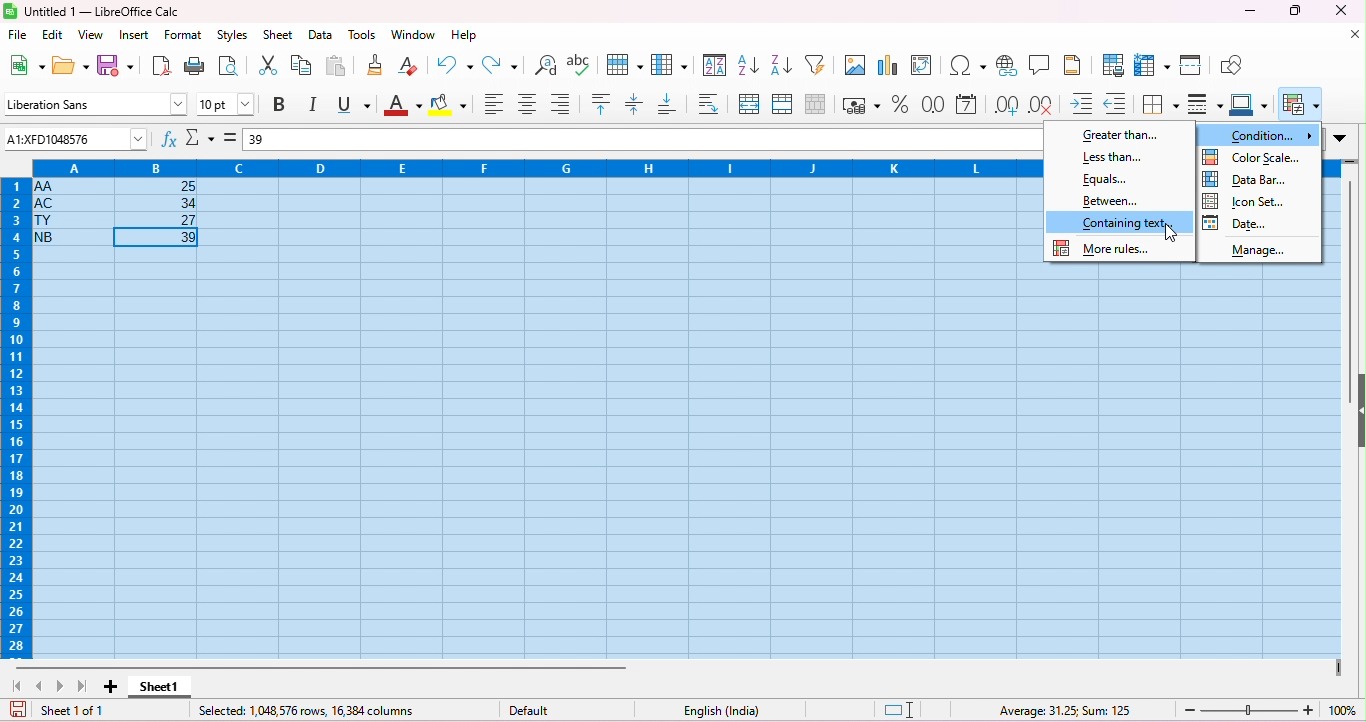 The width and height of the screenshot is (1366, 722). Describe the element at coordinates (323, 667) in the screenshot. I see `horizontal scroll bar` at that location.